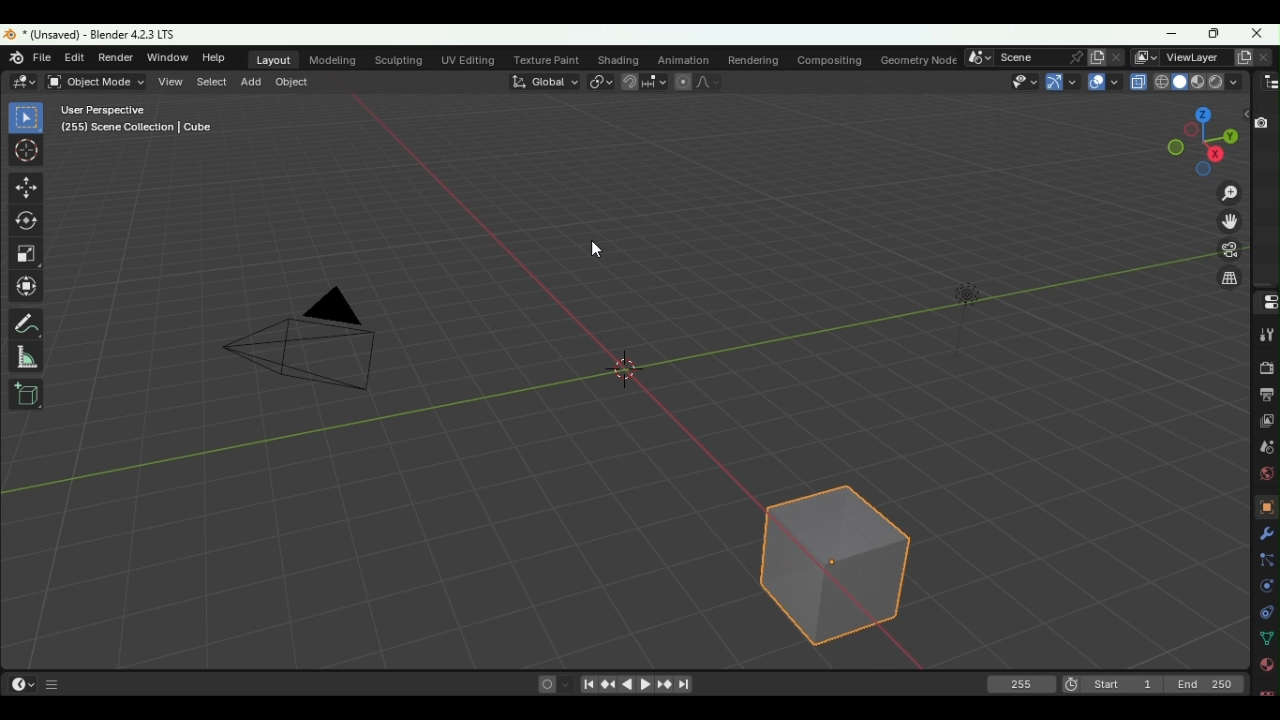 The width and height of the screenshot is (1280, 720). Describe the element at coordinates (291, 82) in the screenshot. I see `Object` at that location.